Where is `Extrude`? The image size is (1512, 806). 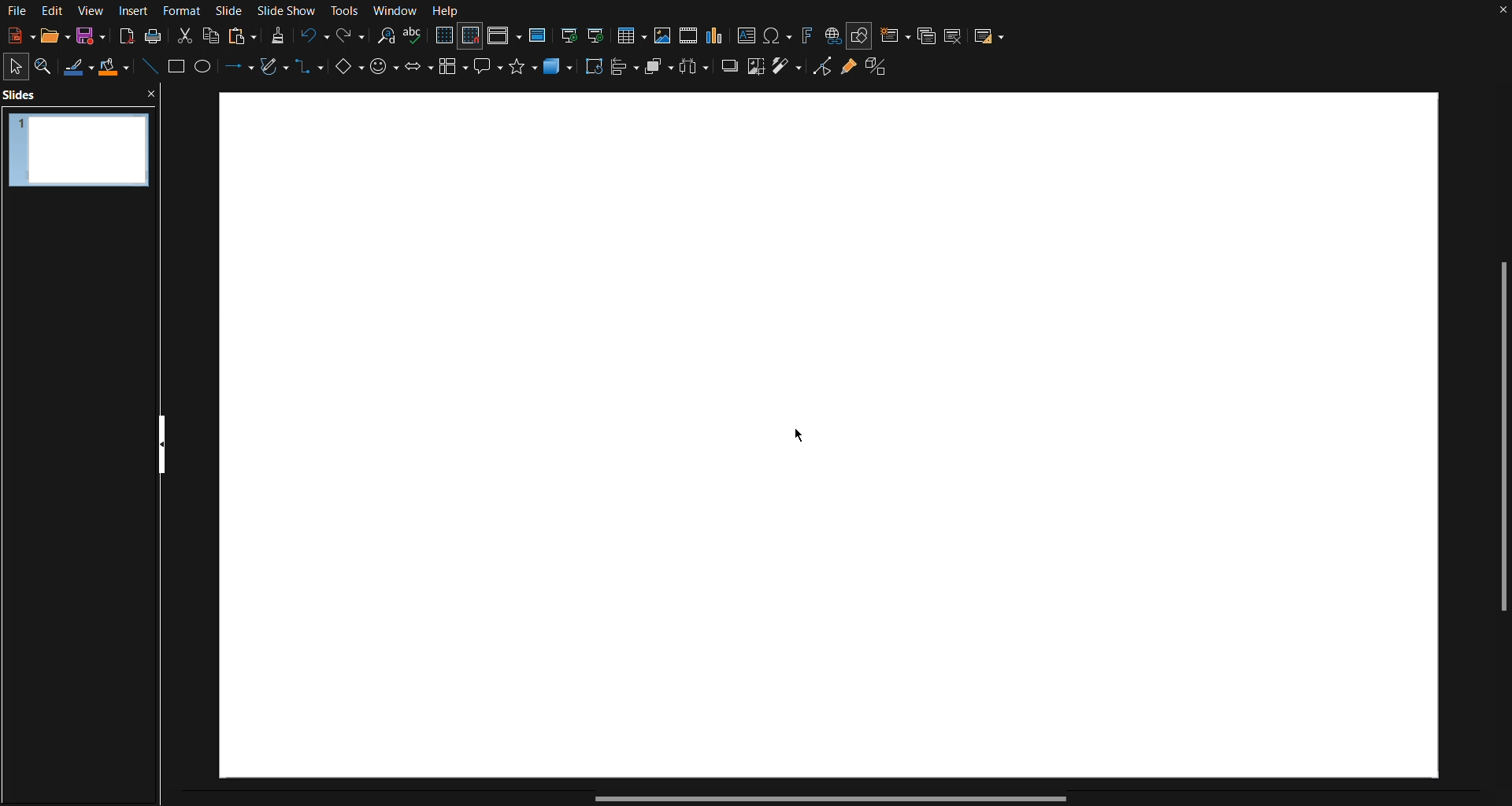
Extrude is located at coordinates (882, 72).